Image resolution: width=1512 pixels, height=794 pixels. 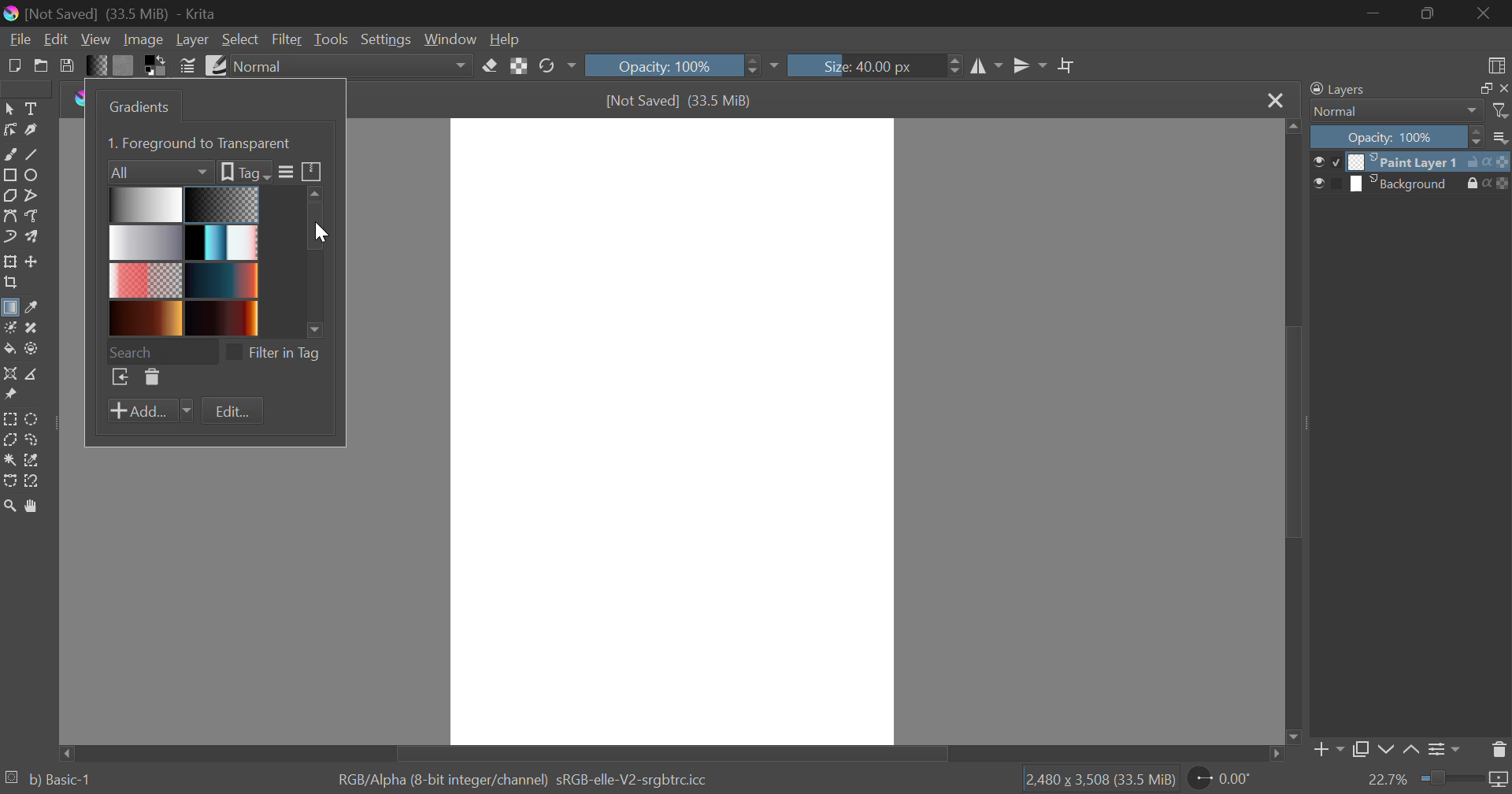 What do you see at coordinates (142, 39) in the screenshot?
I see `Image` at bounding box center [142, 39].